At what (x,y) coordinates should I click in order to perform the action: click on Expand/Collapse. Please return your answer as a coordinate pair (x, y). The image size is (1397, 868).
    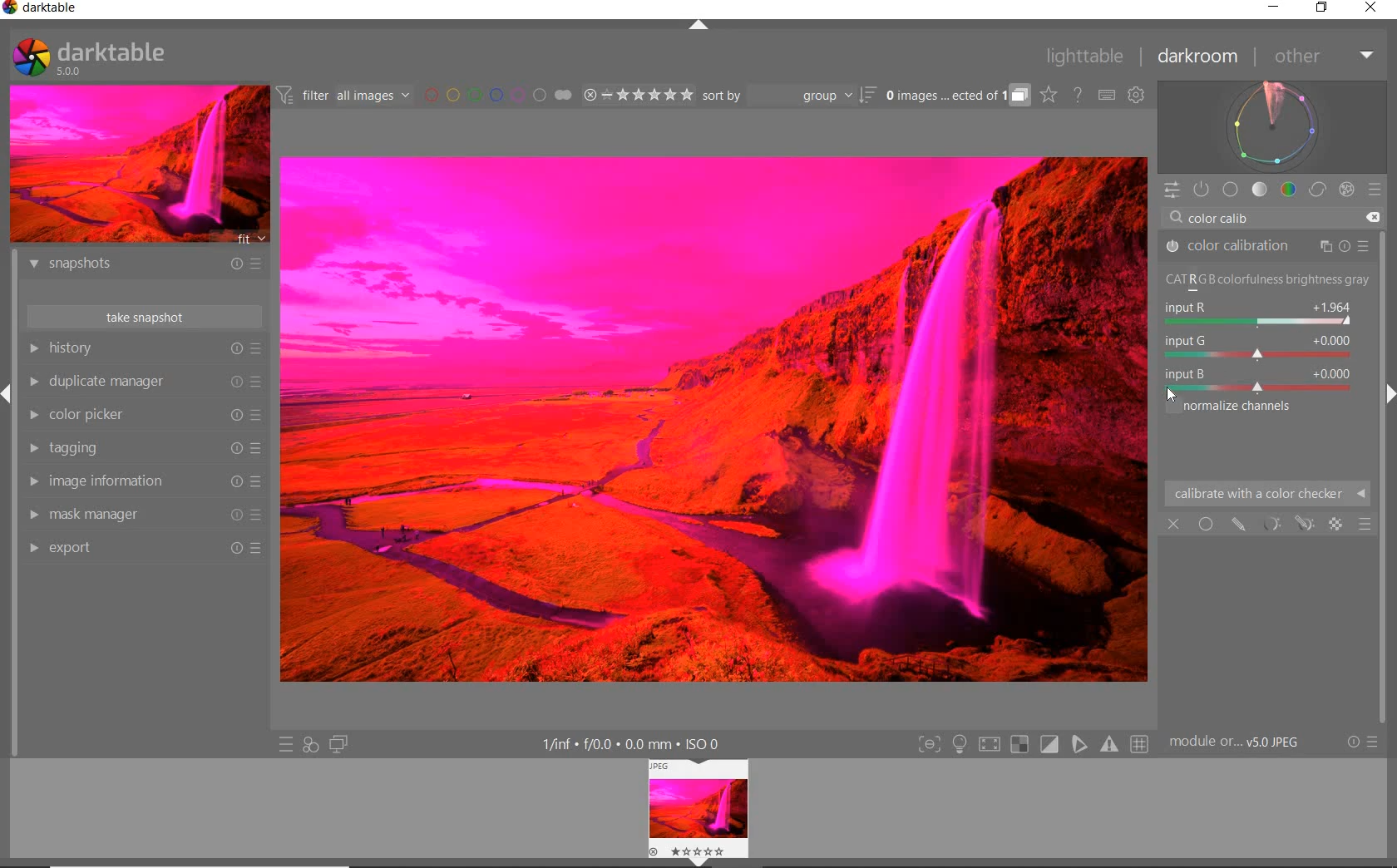
    Looking at the image, I should click on (8, 397).